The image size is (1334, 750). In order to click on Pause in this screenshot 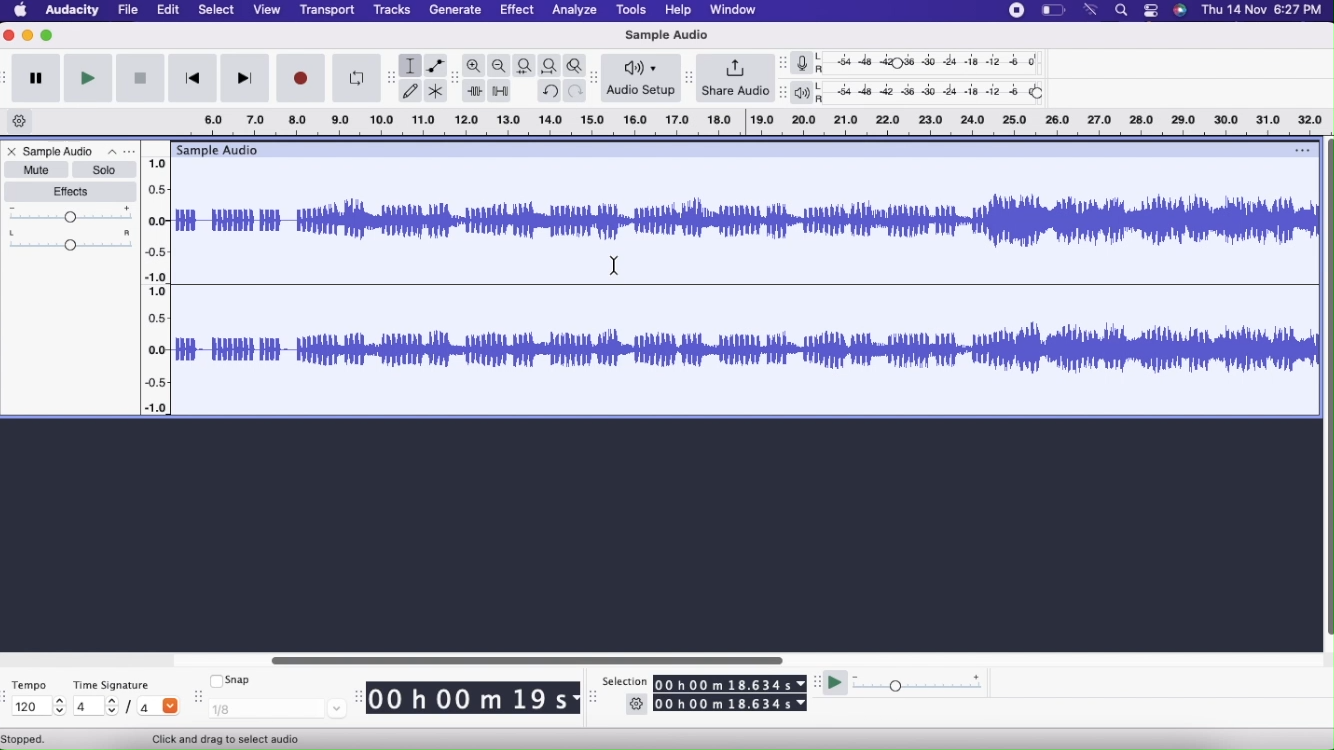, I will do `click(36, 79)`.